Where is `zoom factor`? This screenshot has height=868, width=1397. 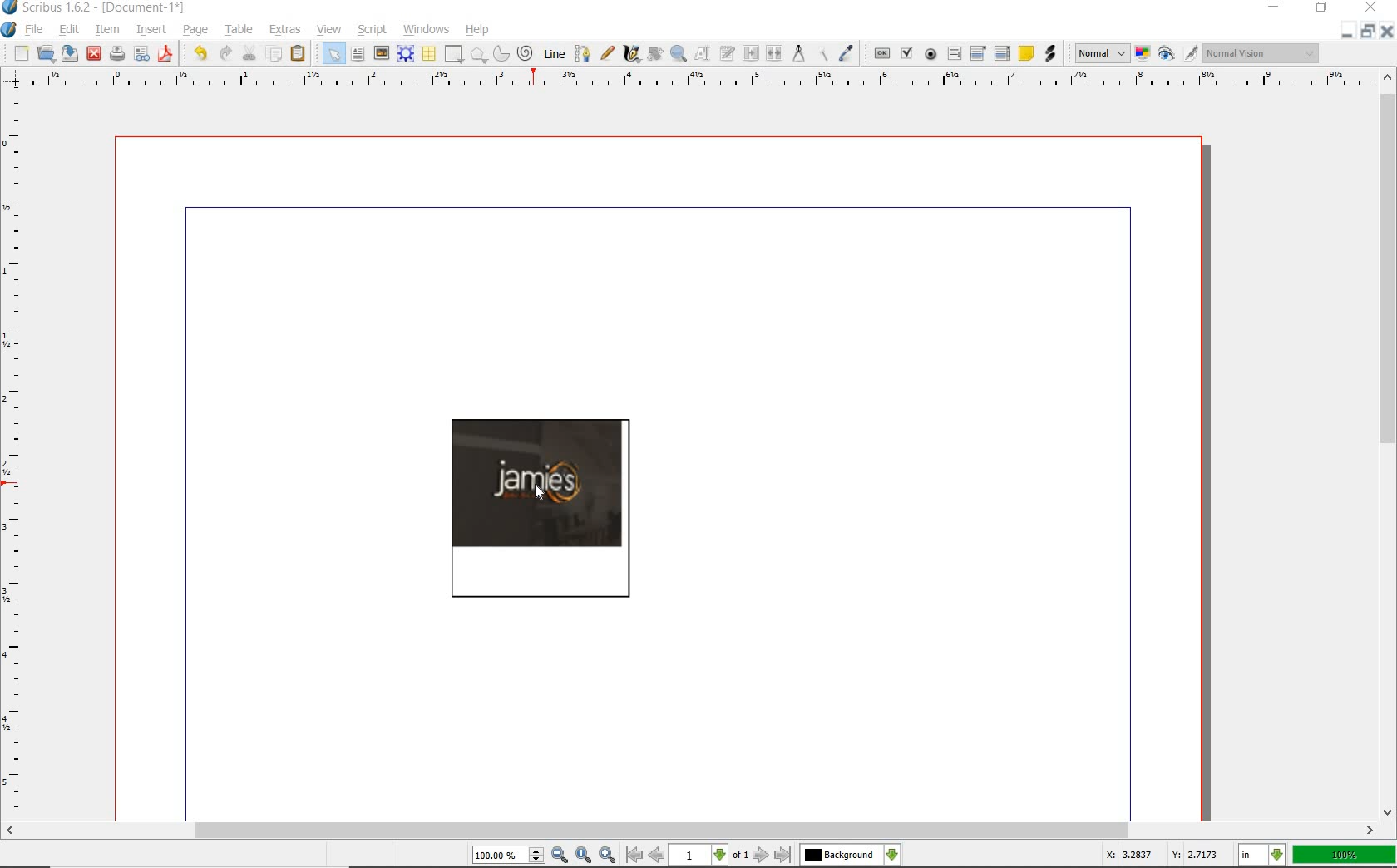
zoom factor is located at coordinates (1345, 856).